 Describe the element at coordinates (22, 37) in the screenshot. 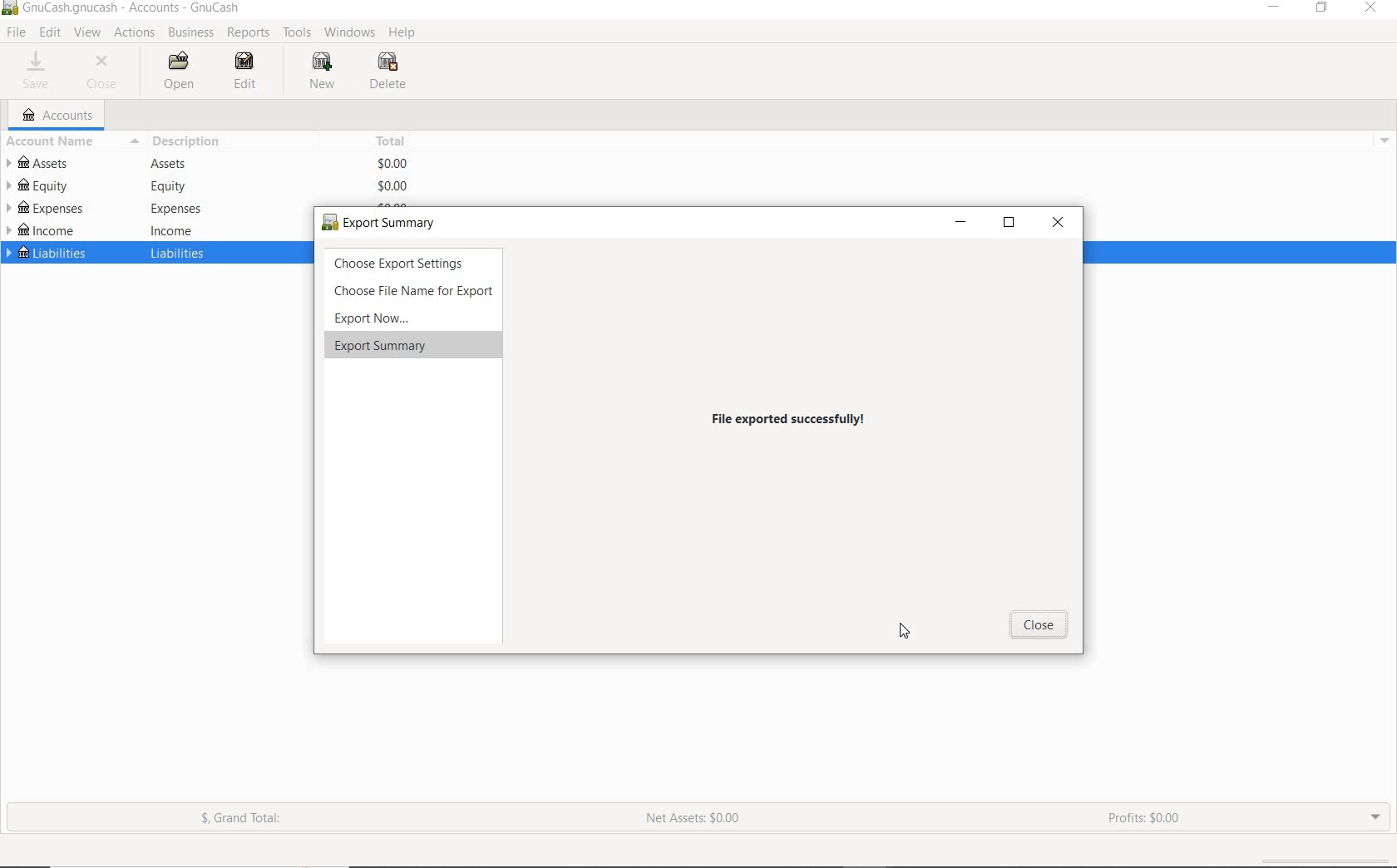

I see `cursor` at that location.